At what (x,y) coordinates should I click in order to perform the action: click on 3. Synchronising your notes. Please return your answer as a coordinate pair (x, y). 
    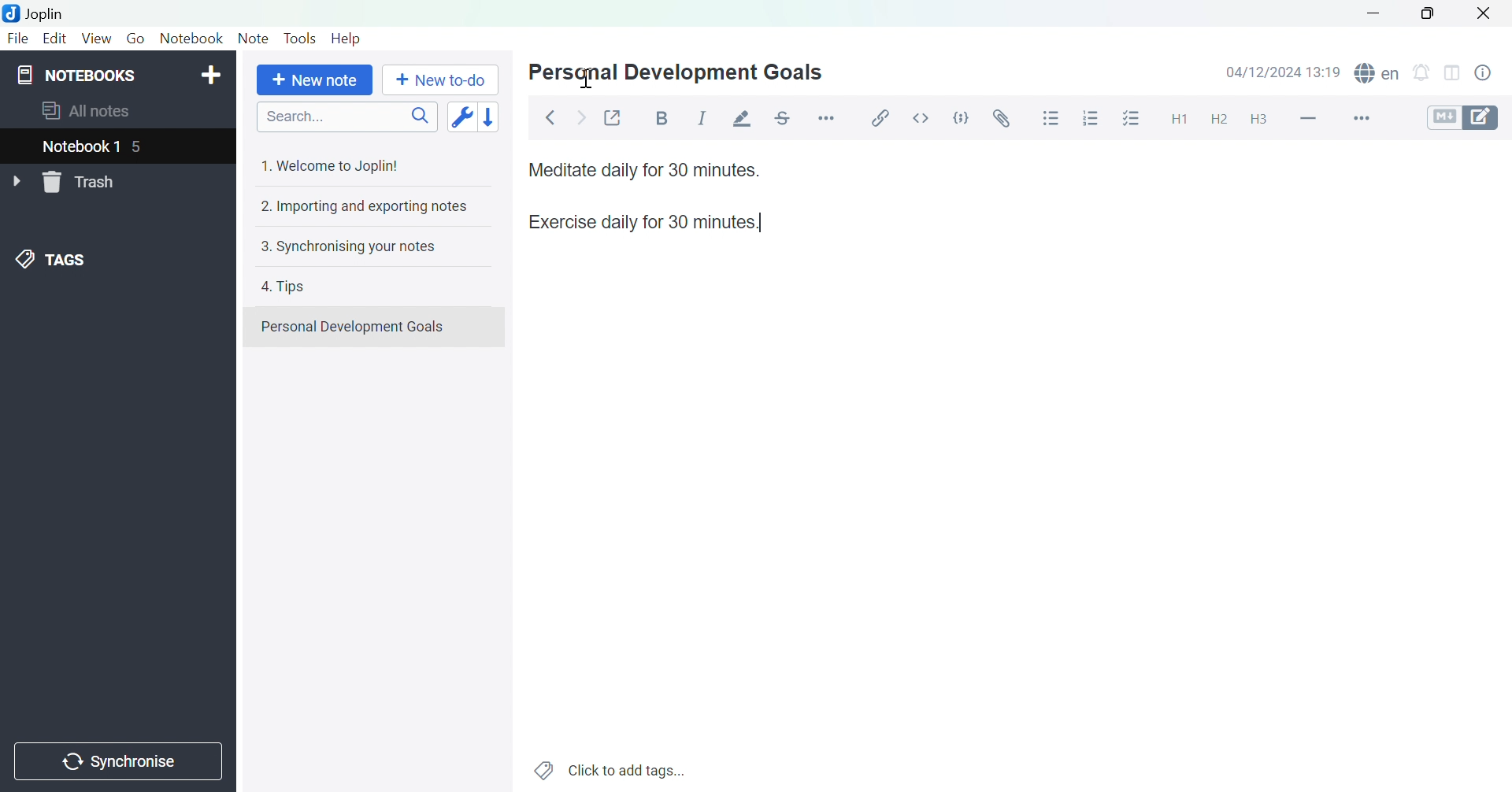
    Looking at the image, I should click on (353, 246).